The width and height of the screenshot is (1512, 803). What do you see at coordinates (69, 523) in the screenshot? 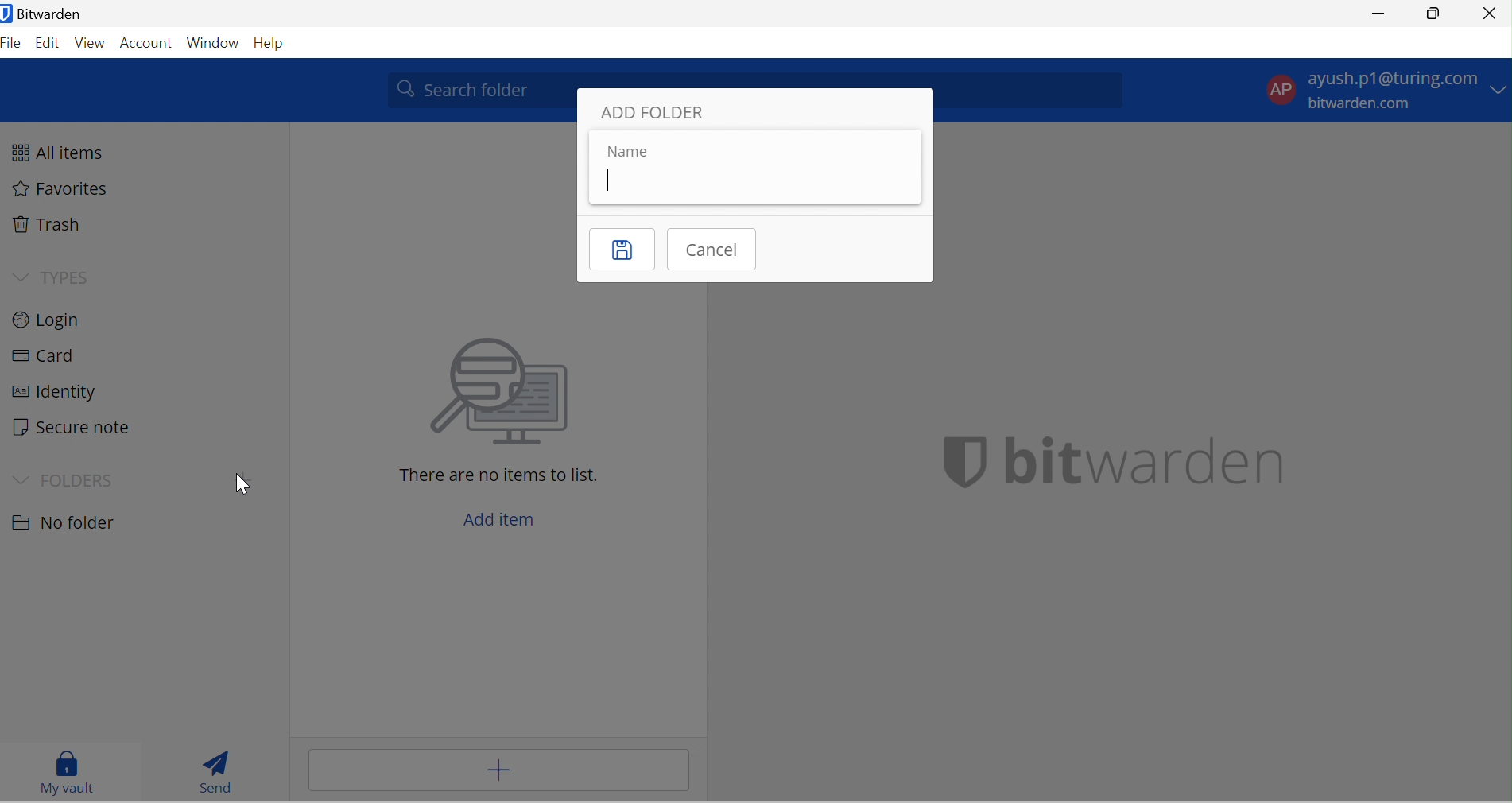
I see `No Folder` at bounding box center [69, 523].